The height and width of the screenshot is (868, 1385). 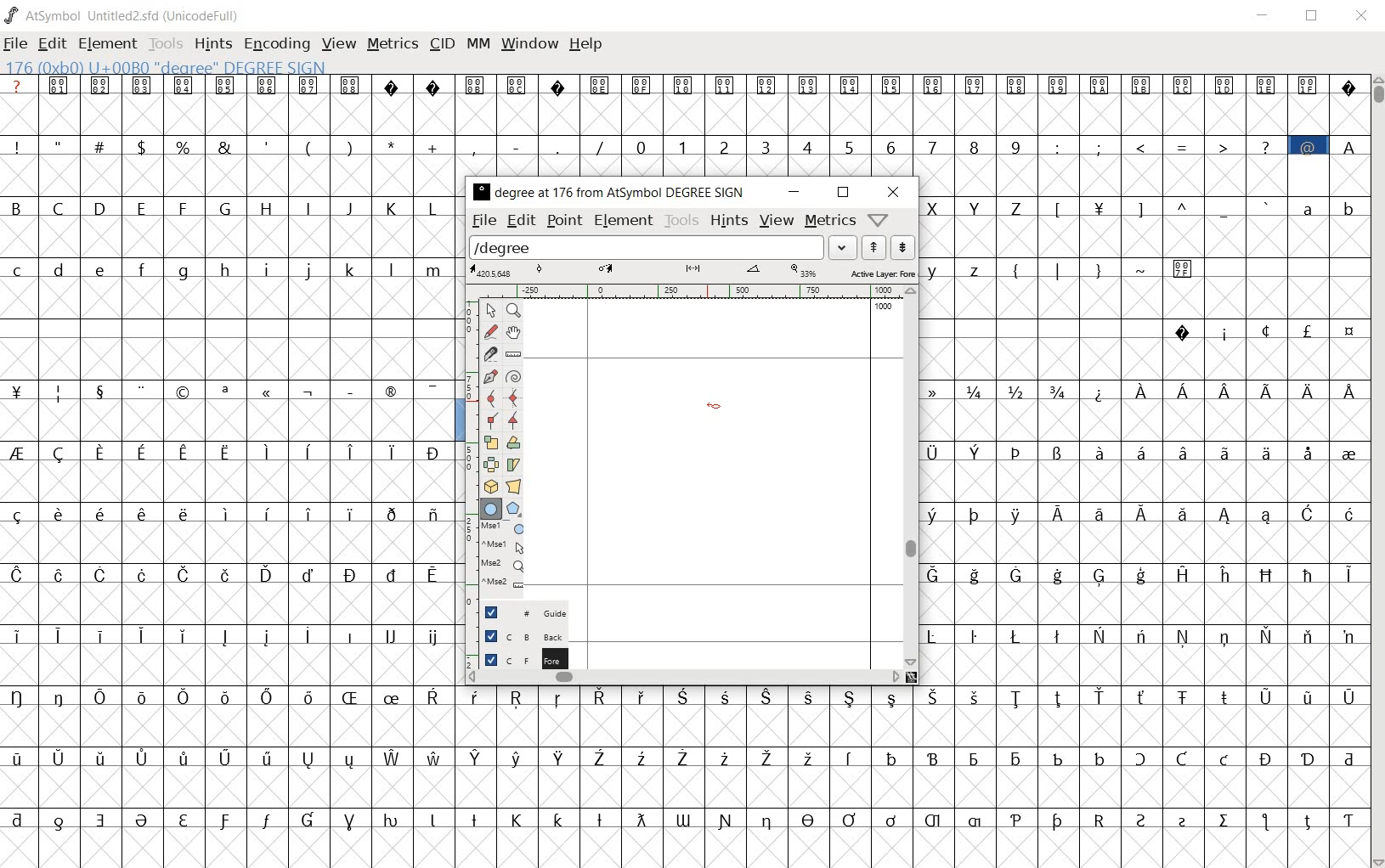 I want to click on unicode code points, so click(x=499, y=84).